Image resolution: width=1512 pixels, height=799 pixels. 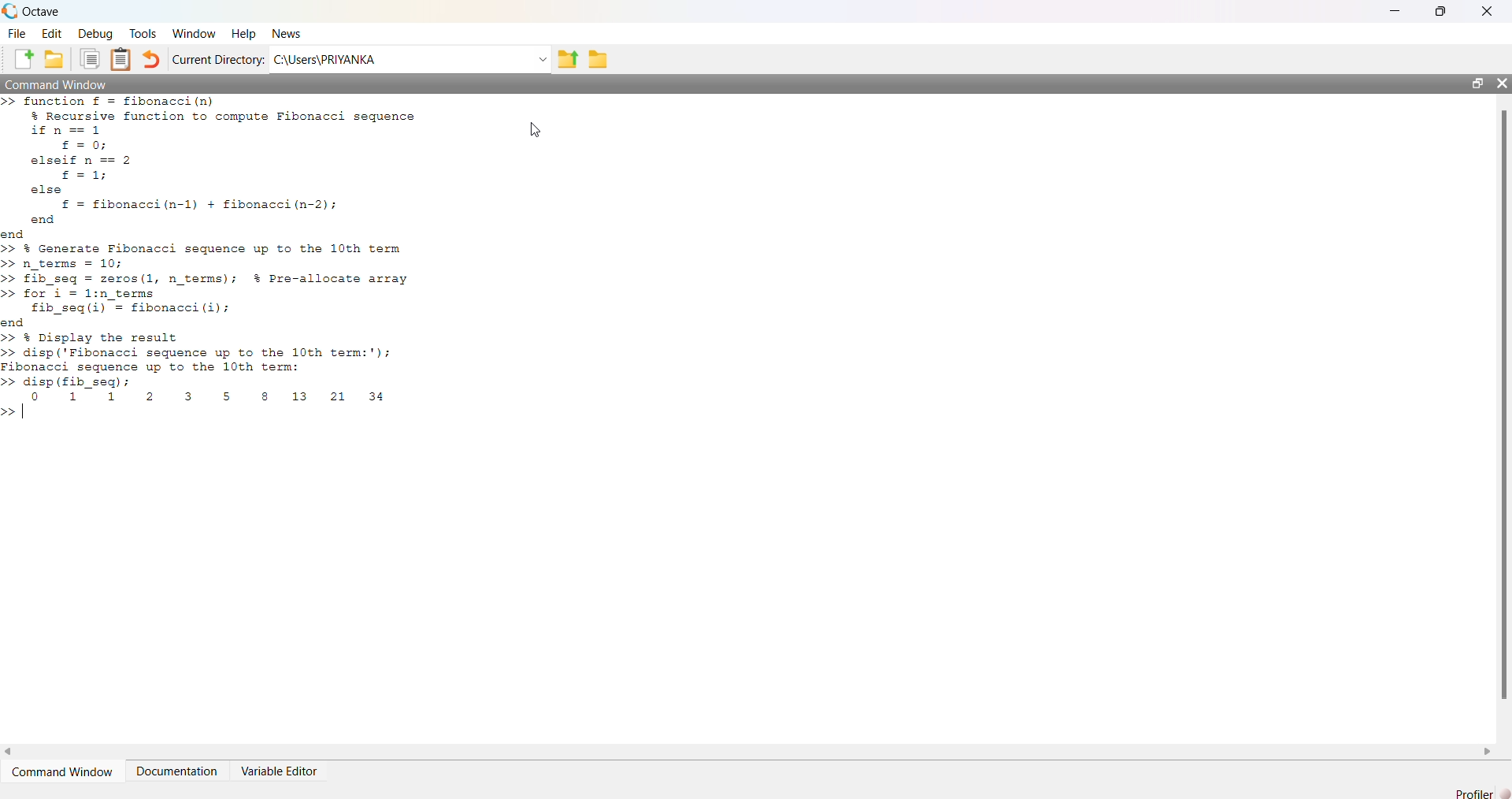 What do you see at coordinates (177, 765) in the screenshot?
I see `Documentation` at bounding box center [177, 765].